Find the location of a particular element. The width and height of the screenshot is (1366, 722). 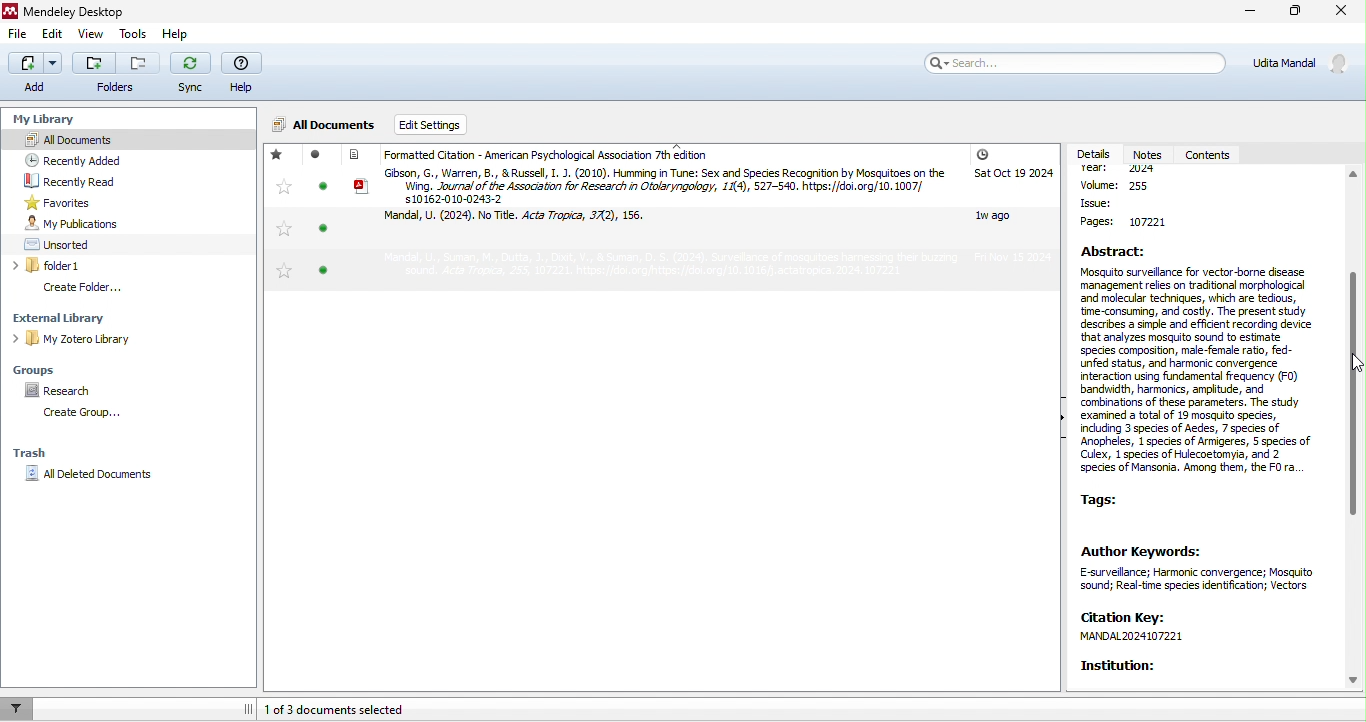

issue is located at coordinates (1111, 204).